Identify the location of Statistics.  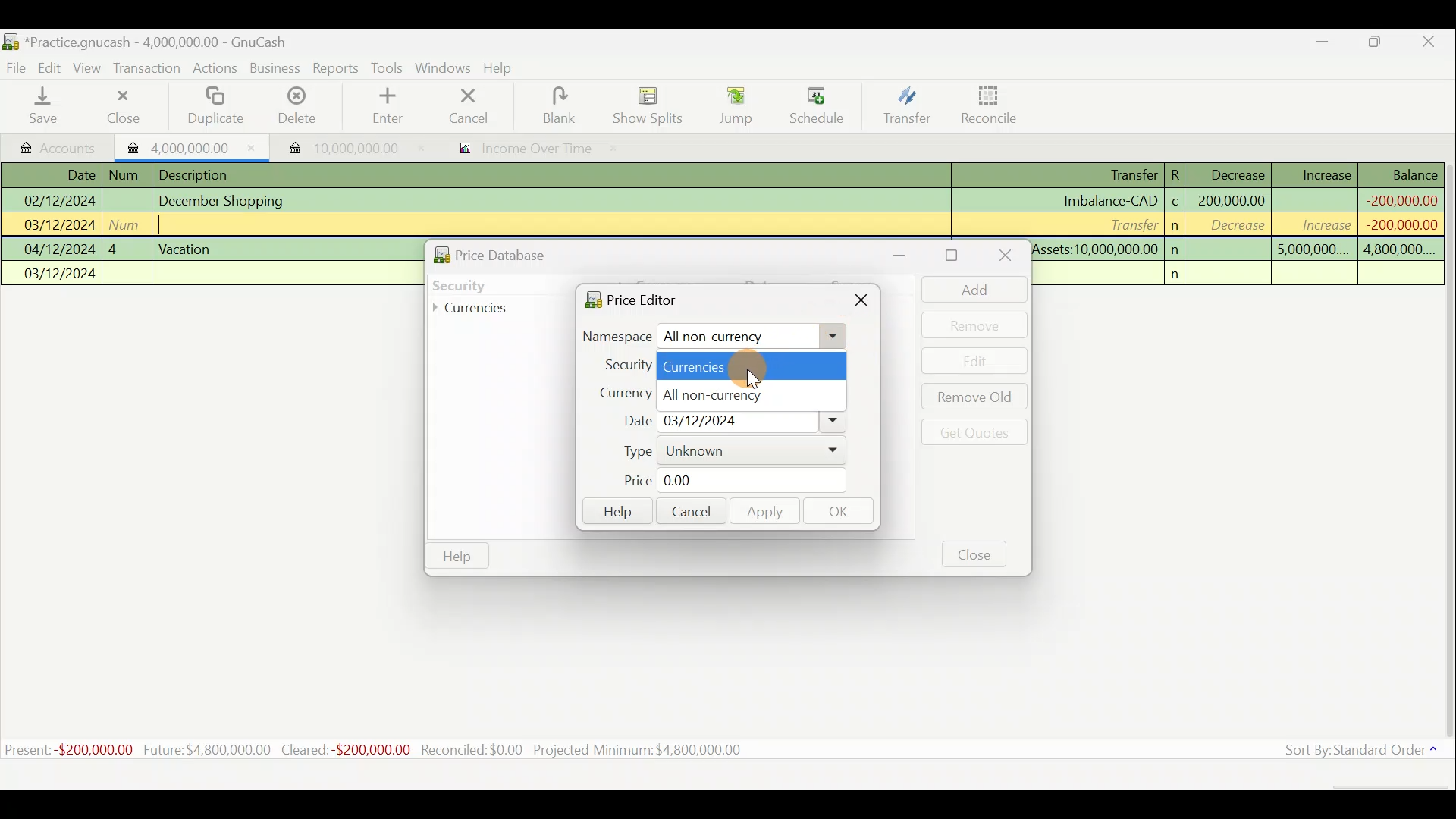
(399, 750).